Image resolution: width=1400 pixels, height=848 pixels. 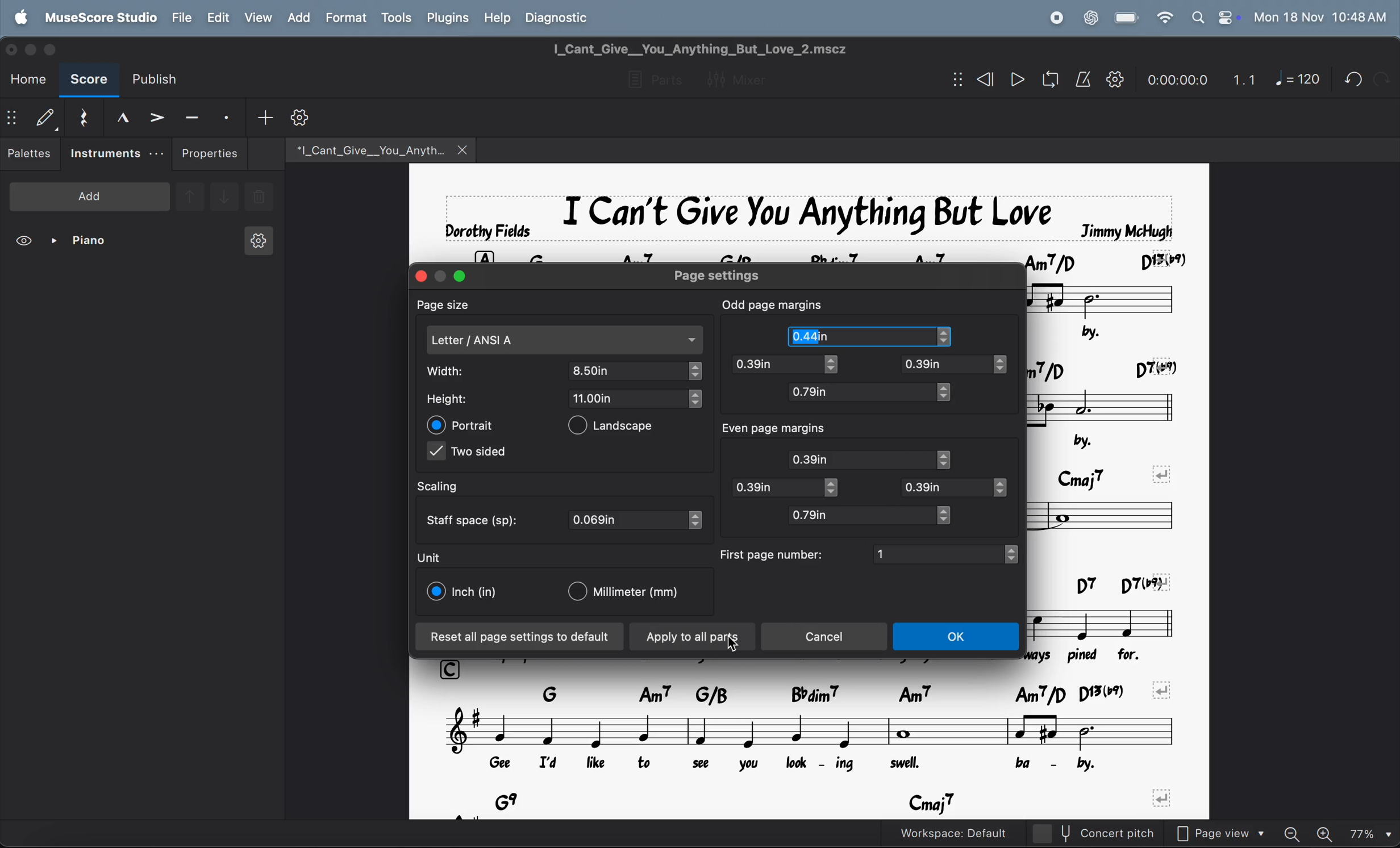 What do you see at coordinates (720, 49) in the screenshot?
I see `song page title` at bounding box center [720, 49].